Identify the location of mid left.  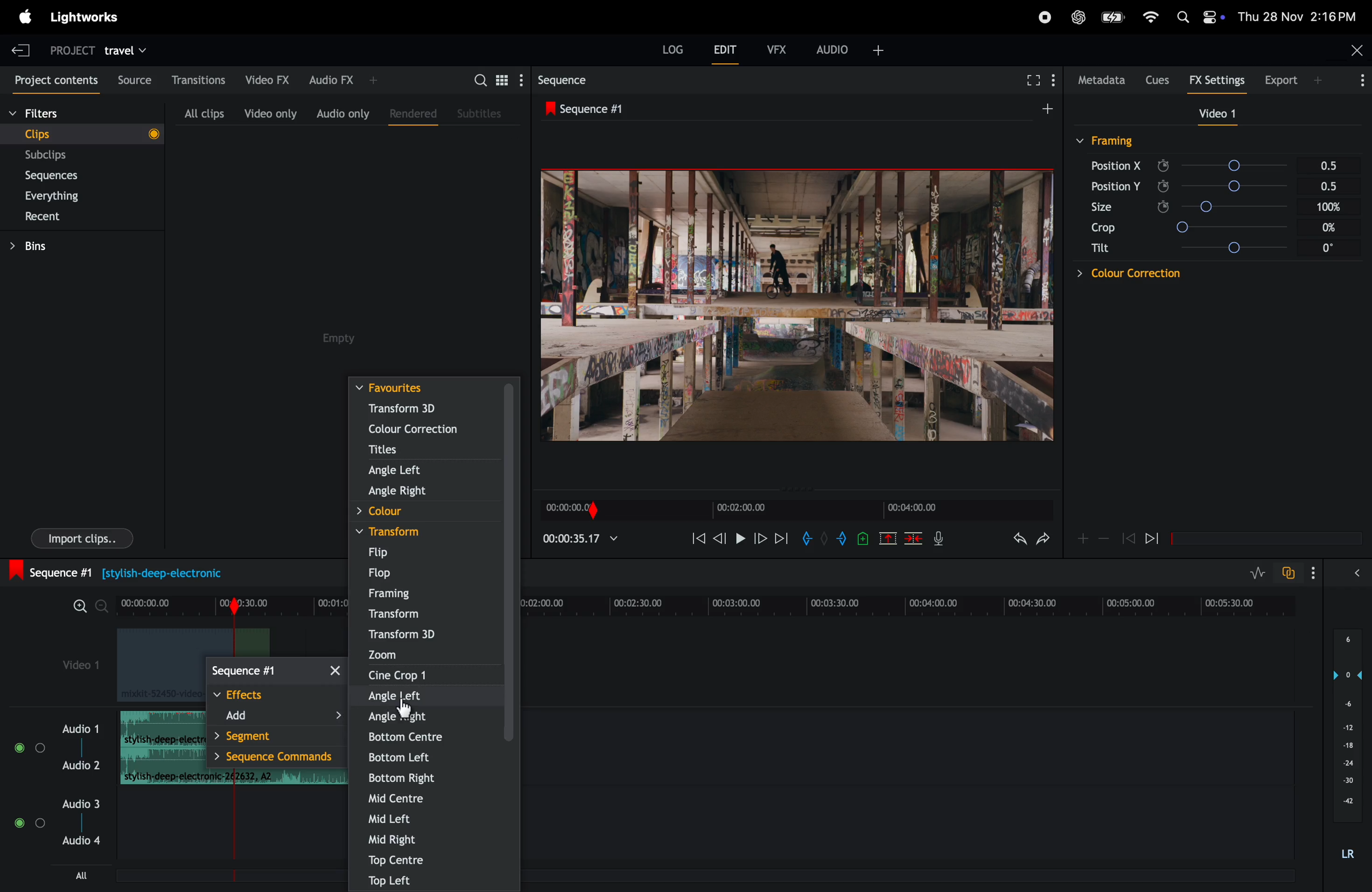
(434, 818).